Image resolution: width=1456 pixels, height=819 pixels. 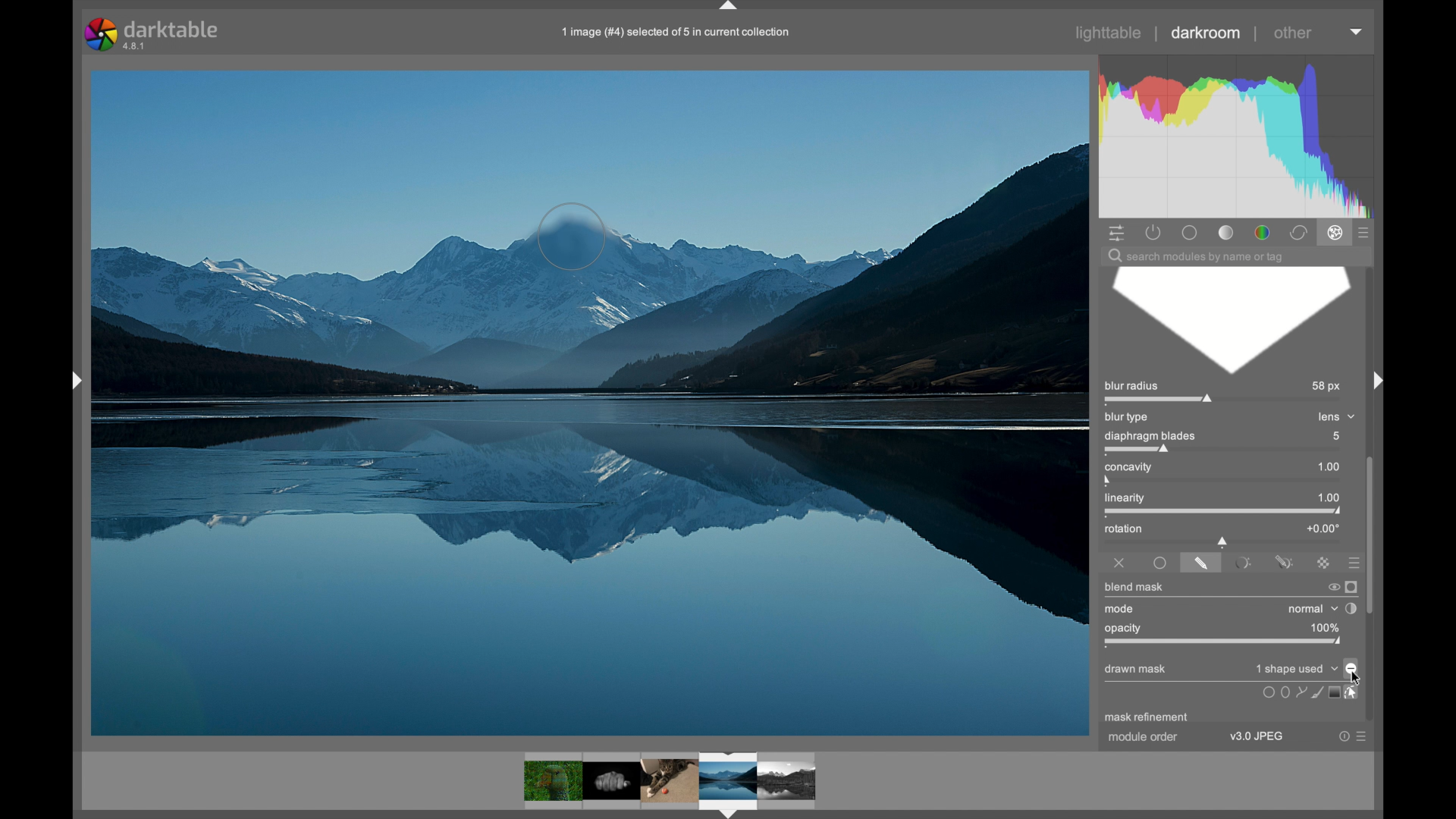 What do you see at coordinates (1312, 608) in the screenshot?
I see `normal dropdown` at bounding box center [1312, 608].